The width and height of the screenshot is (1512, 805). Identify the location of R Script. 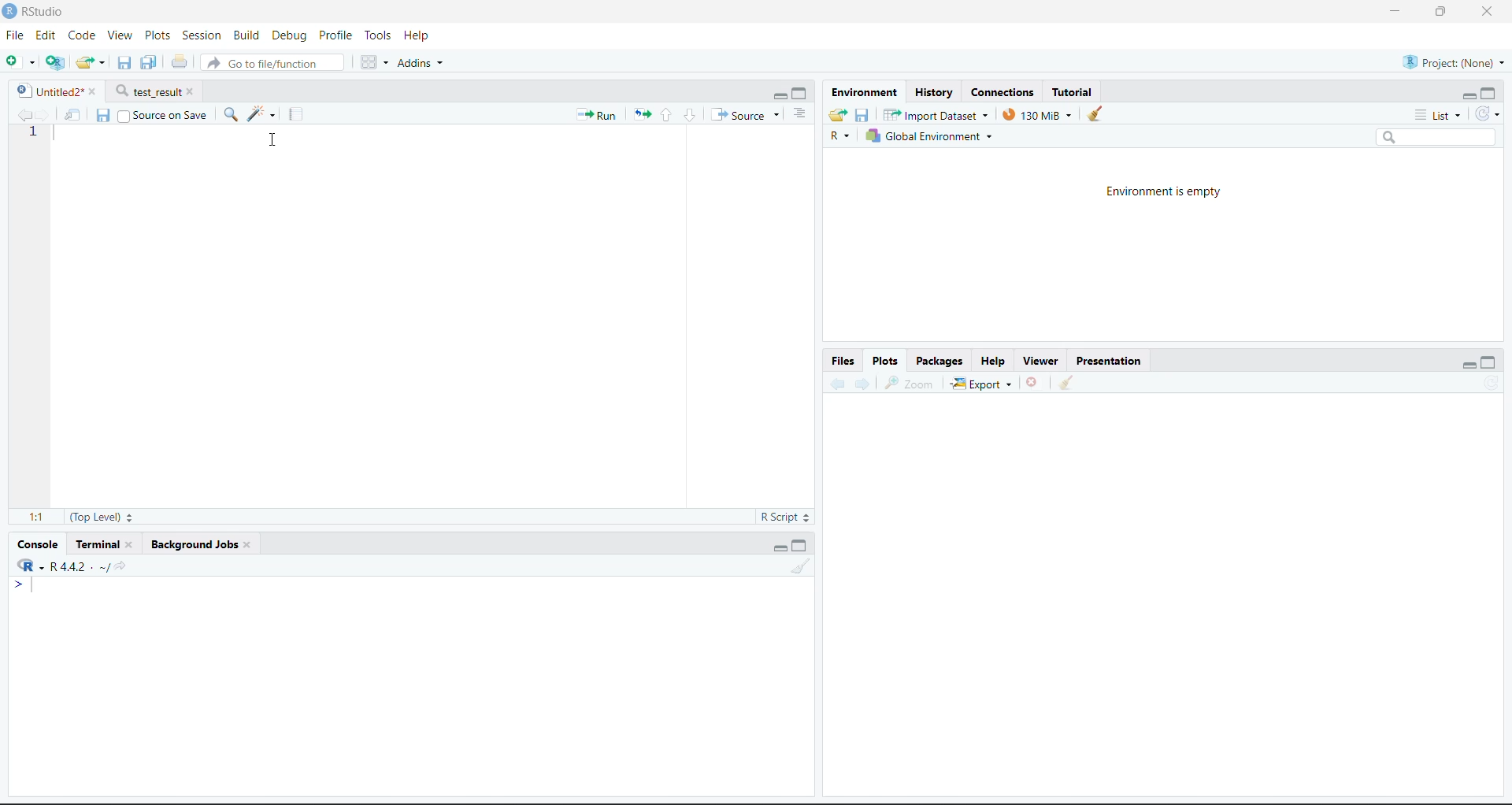
(787, 517).